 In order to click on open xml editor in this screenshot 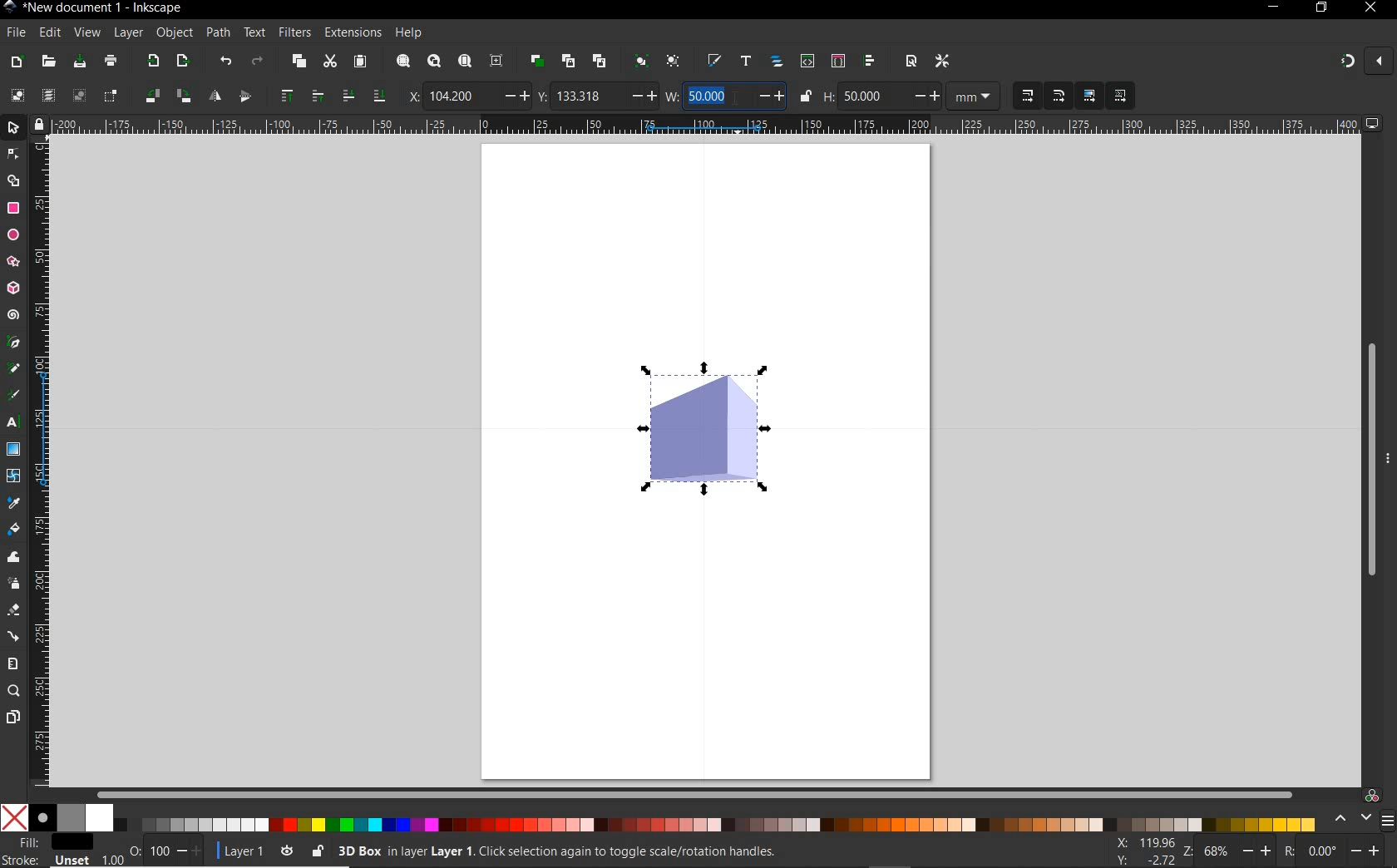, I will do `click(807, 61)`.